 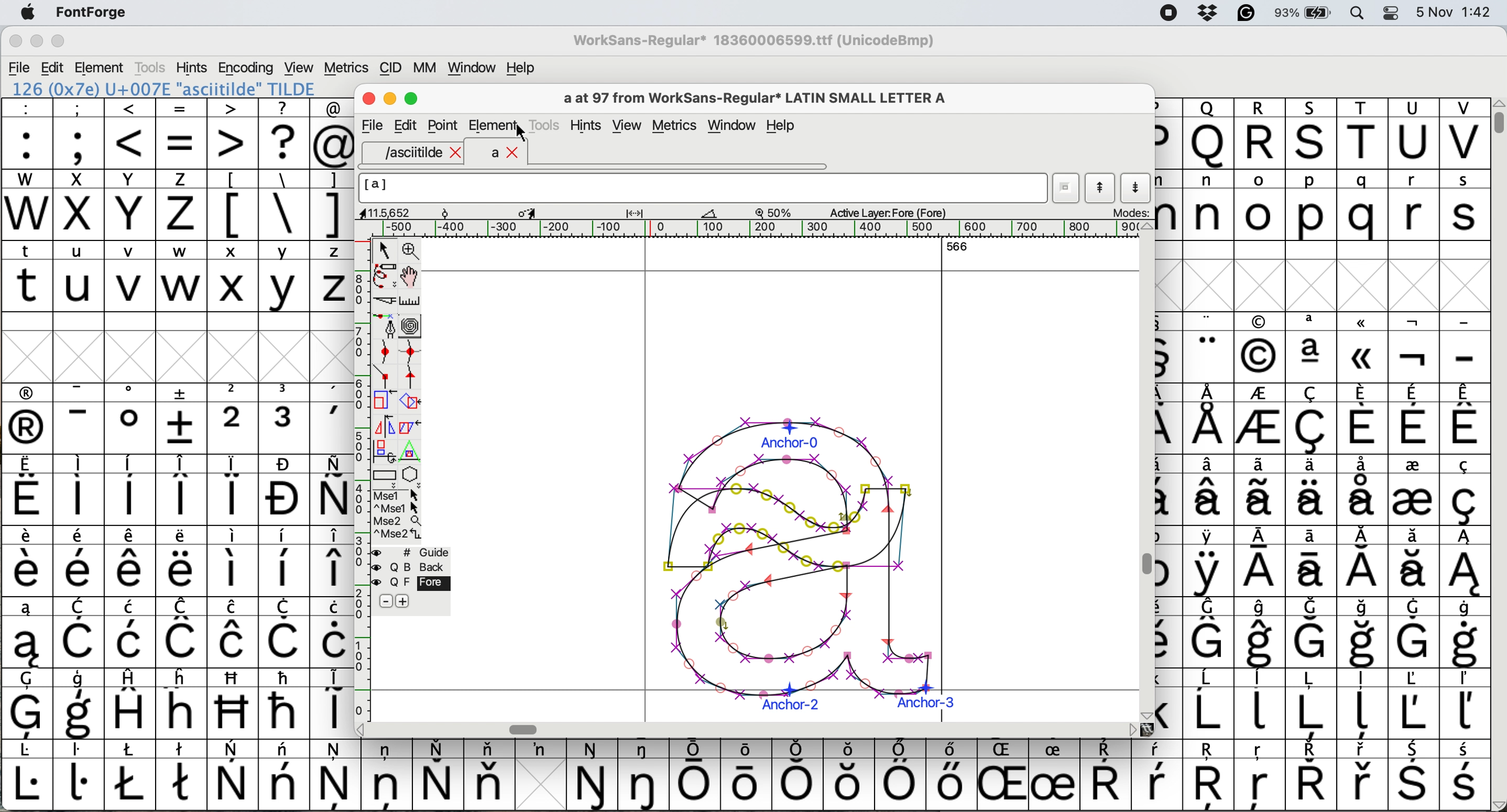 What do you see at coordinates (1143, 566) in the screenshot?
I see `Vertical scroll bar` at bounding box center [1143, 566].